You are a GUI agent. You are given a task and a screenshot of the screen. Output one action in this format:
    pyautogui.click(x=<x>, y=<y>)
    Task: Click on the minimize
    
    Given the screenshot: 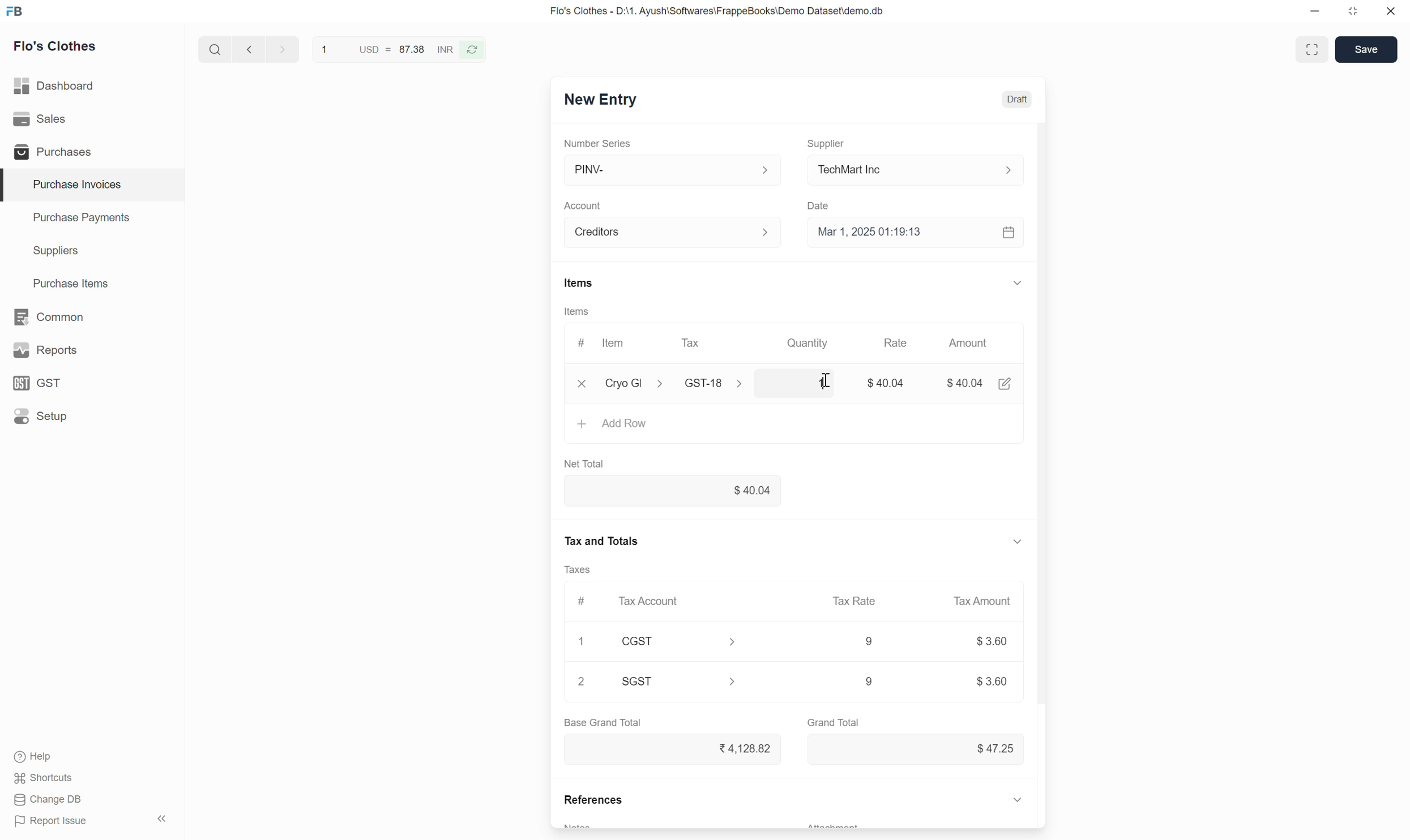 What is the action you would take?
    pyautogui.click(x=1315, y=14)
    